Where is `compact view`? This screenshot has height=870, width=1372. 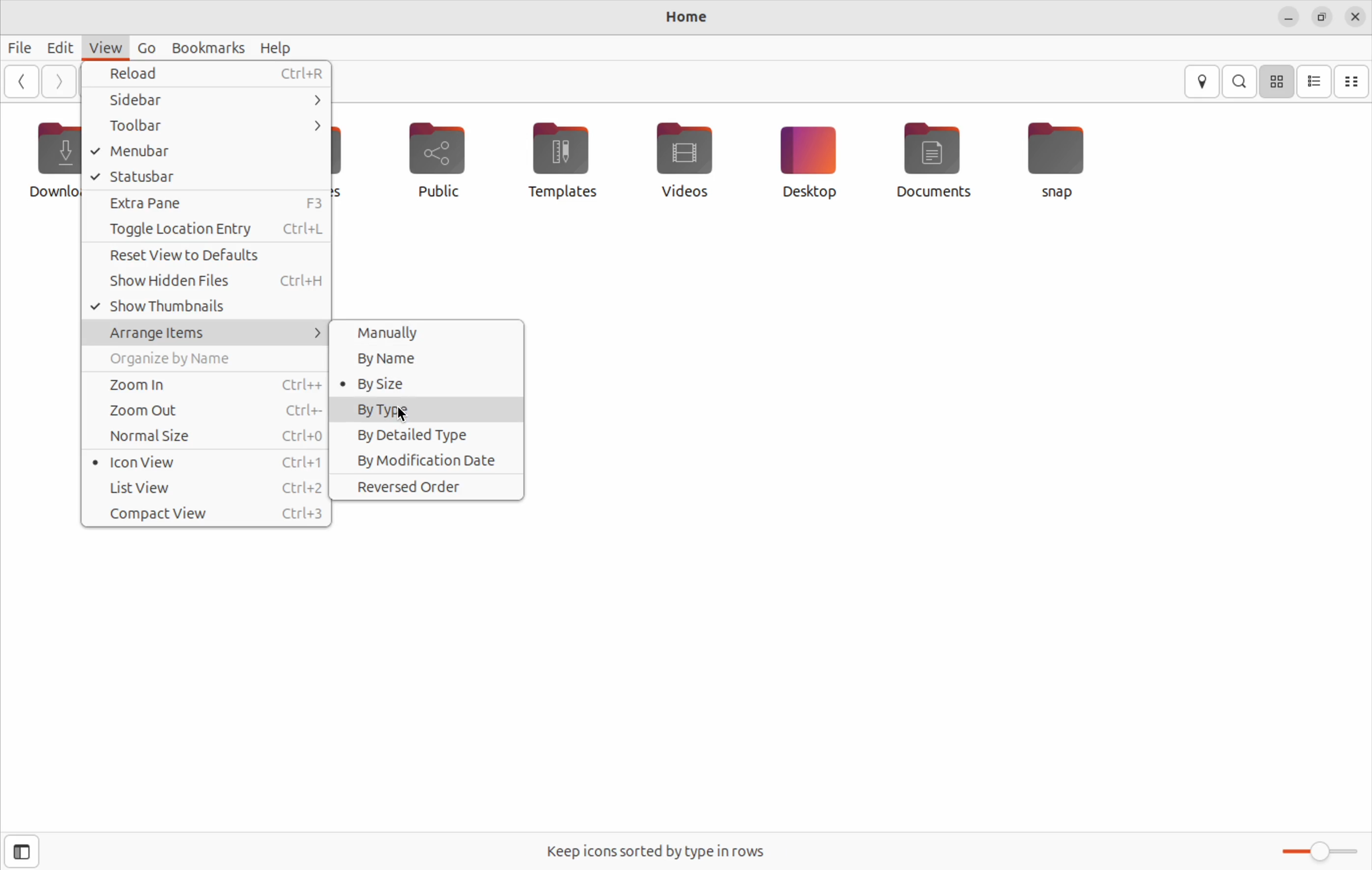 compact view is located at coordinates (1353, 81).